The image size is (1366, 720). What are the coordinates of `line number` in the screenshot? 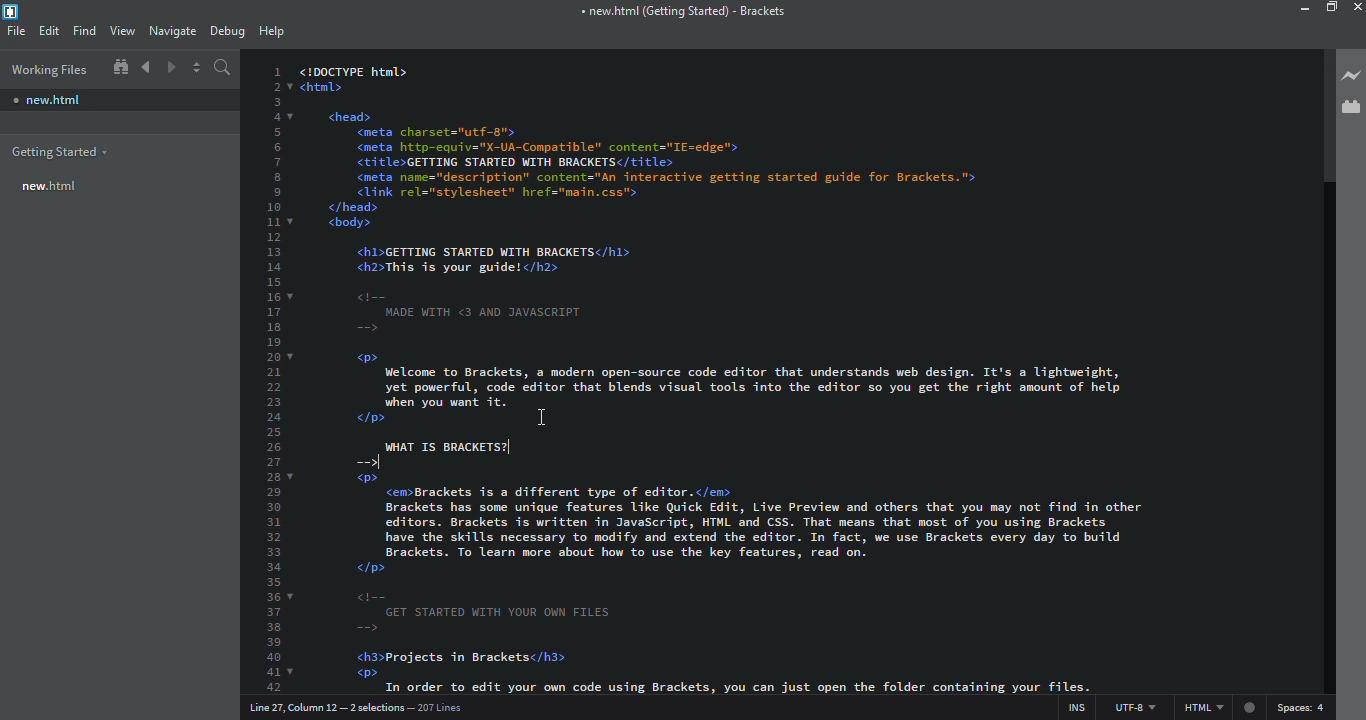 It's located at (361, 707).